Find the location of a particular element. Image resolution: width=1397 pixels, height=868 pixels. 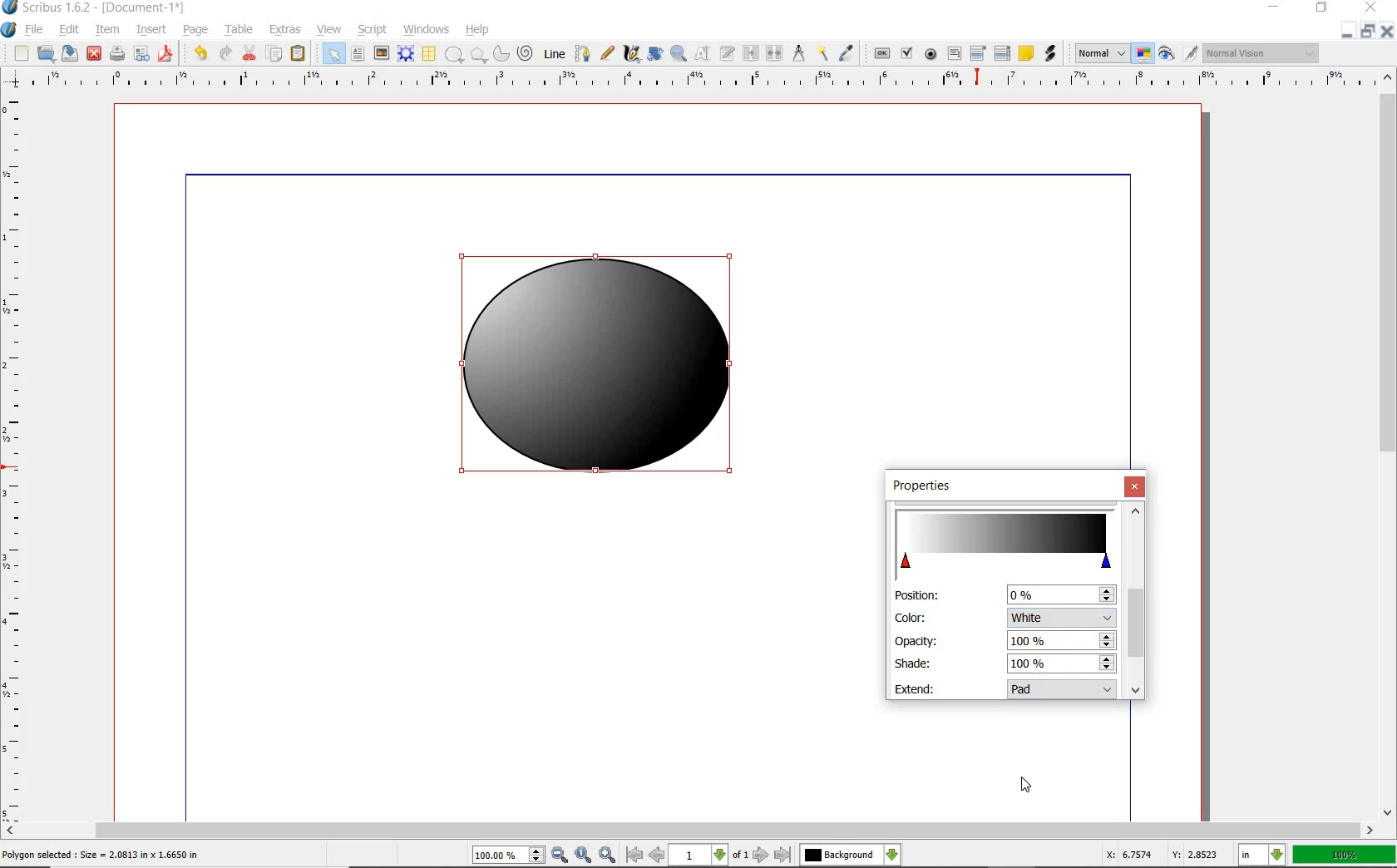

white color added is located at coordinates (606, 372).